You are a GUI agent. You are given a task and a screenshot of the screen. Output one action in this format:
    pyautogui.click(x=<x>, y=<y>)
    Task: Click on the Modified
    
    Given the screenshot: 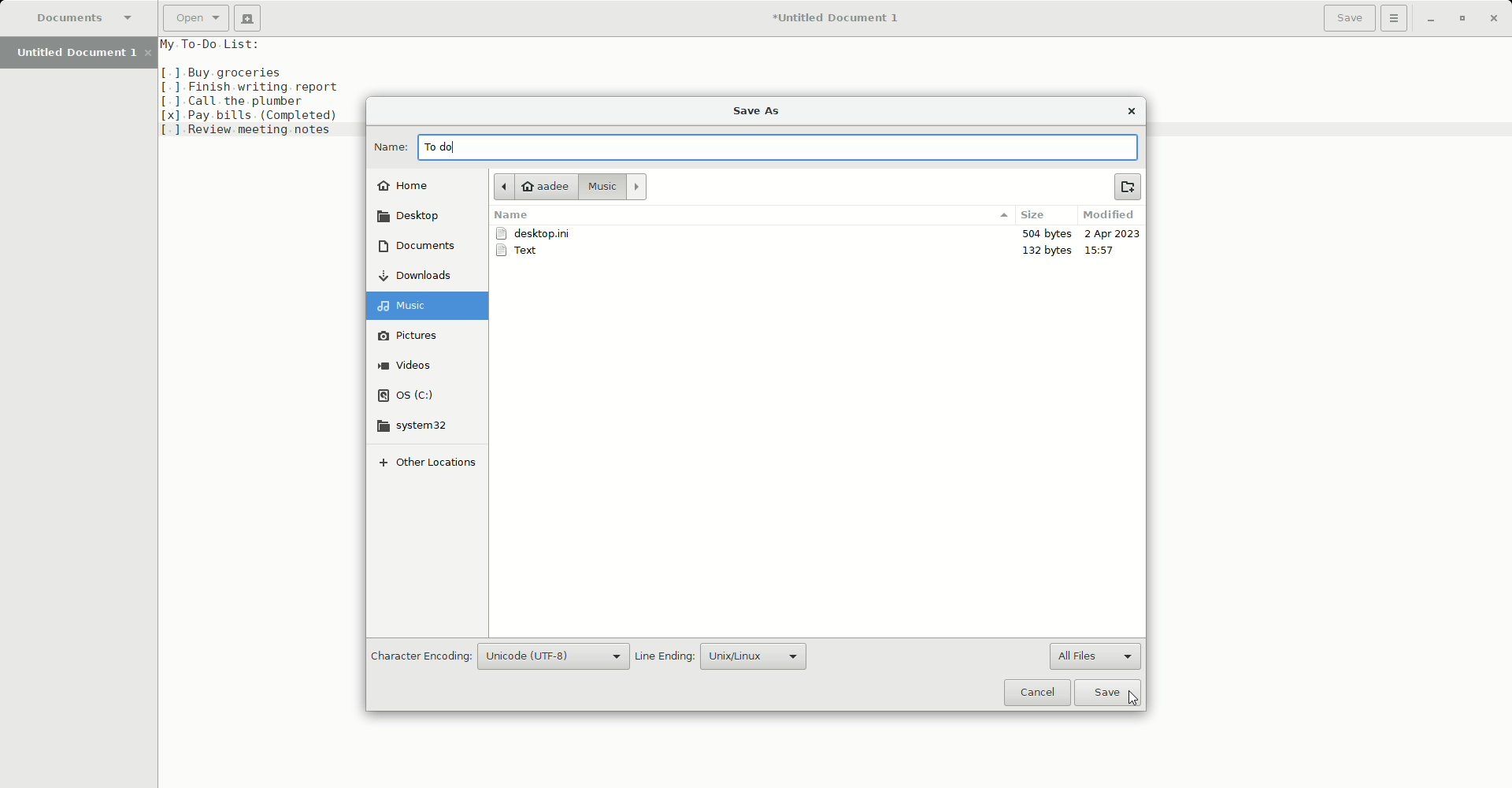 What is the action you would take?
    pyautogui.click(x=1110, y=217)
    